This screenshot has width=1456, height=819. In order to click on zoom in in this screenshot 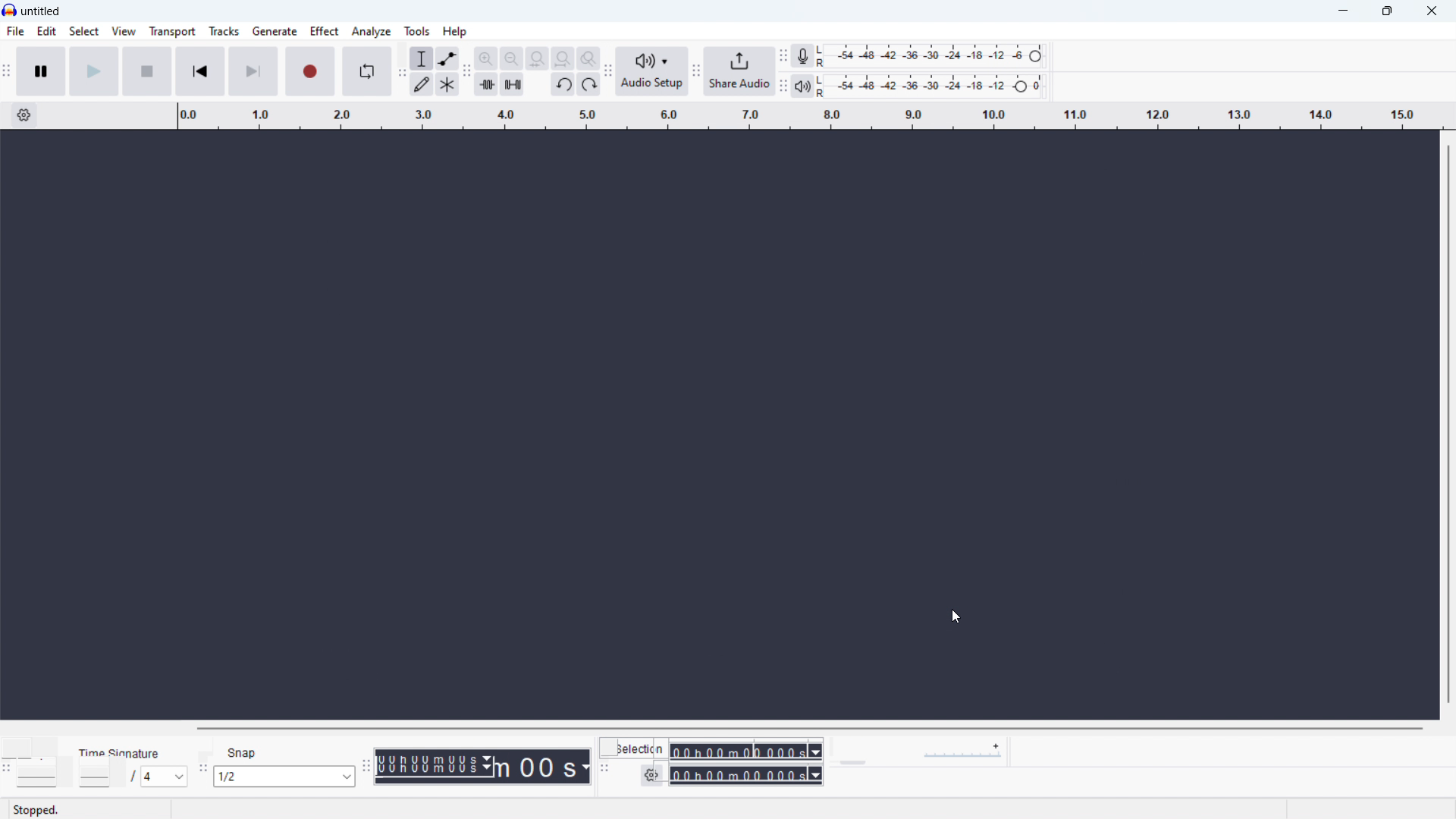, I will do `click(485, 58)`.